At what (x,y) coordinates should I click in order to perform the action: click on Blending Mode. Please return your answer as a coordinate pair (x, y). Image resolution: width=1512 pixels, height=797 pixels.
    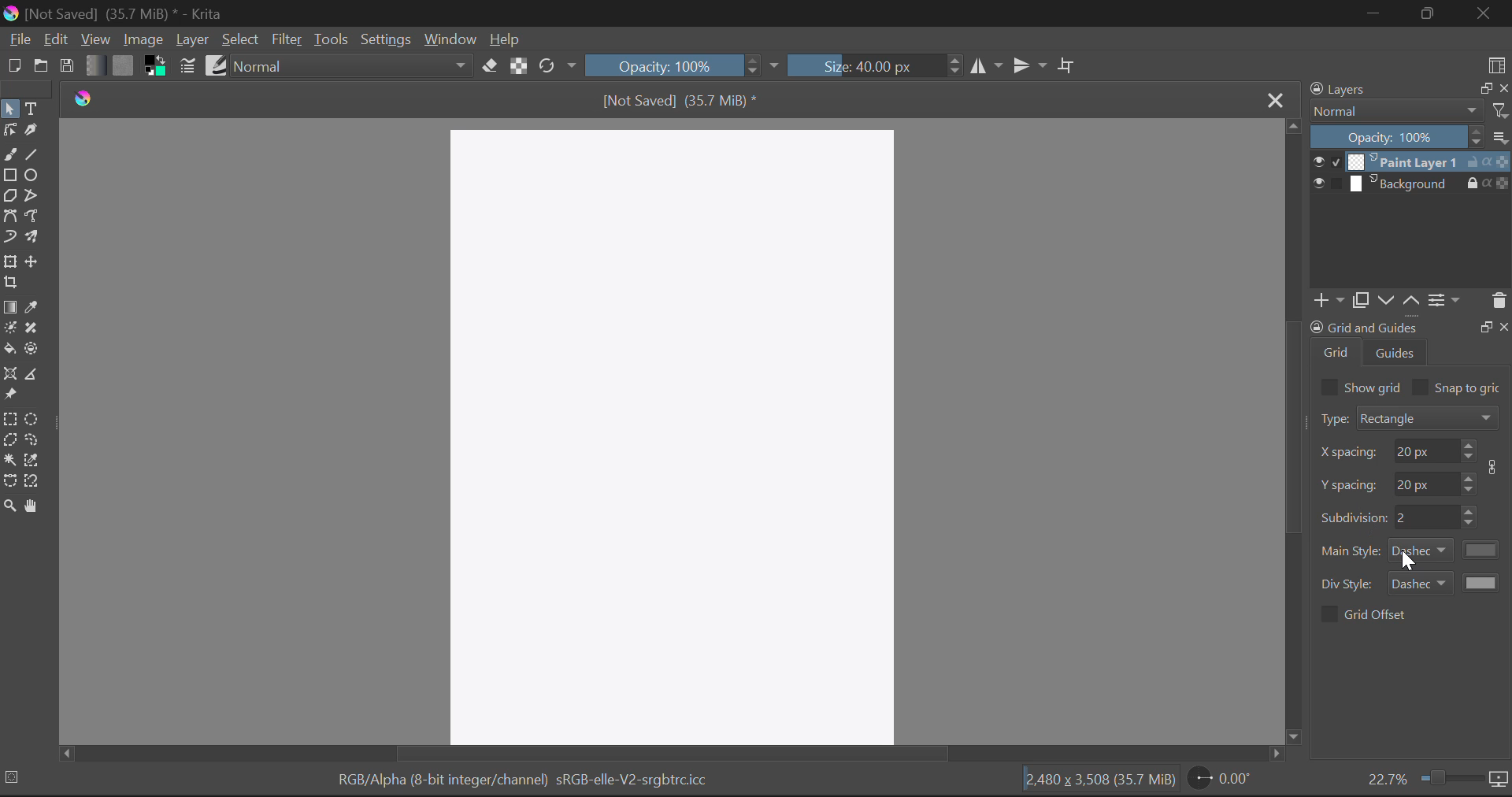
    Looking at the image, I should click on (354, 65).